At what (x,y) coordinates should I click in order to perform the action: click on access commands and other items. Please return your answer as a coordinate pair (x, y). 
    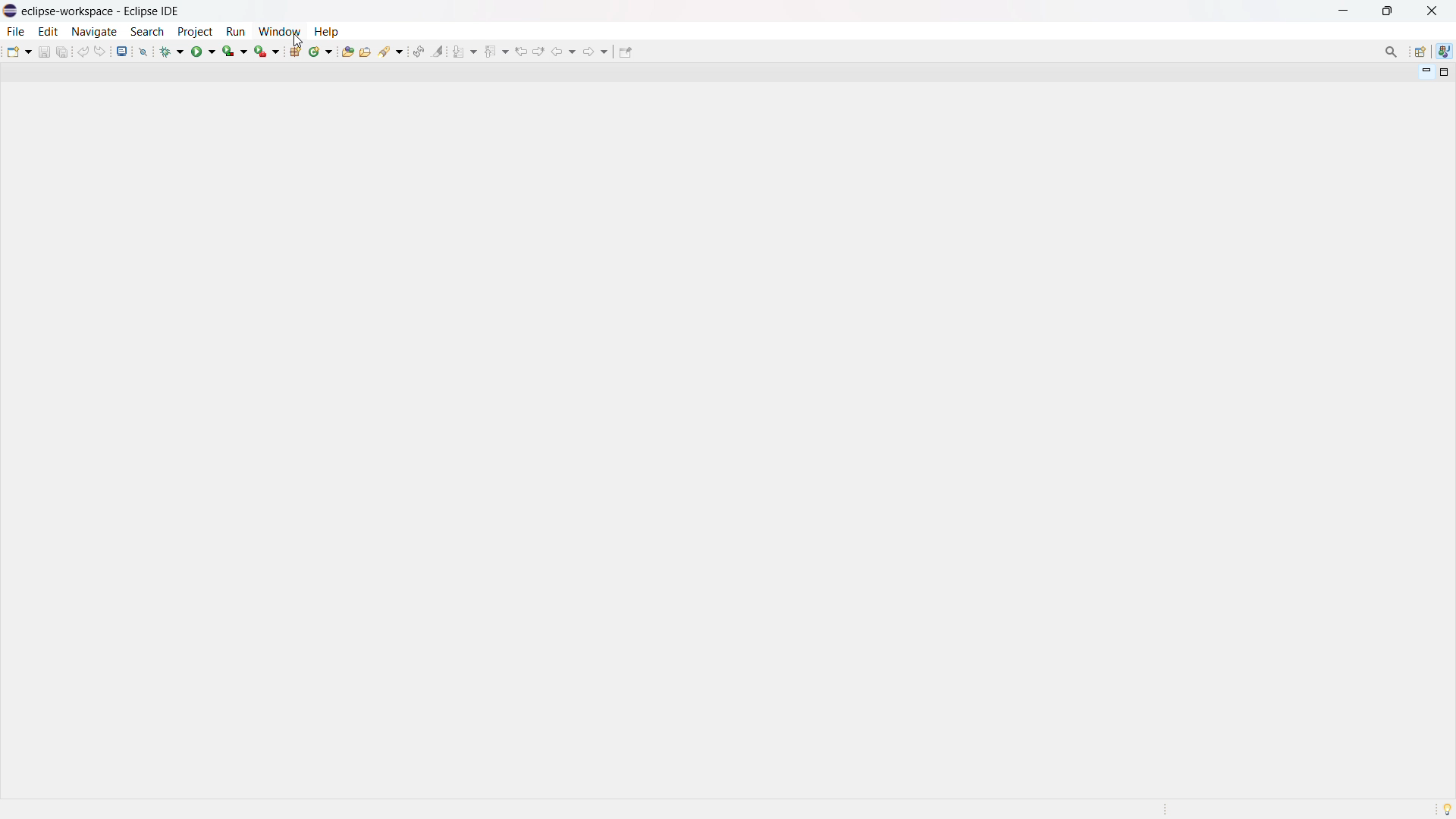
    Looking at the image, I should click on (1392, 52).